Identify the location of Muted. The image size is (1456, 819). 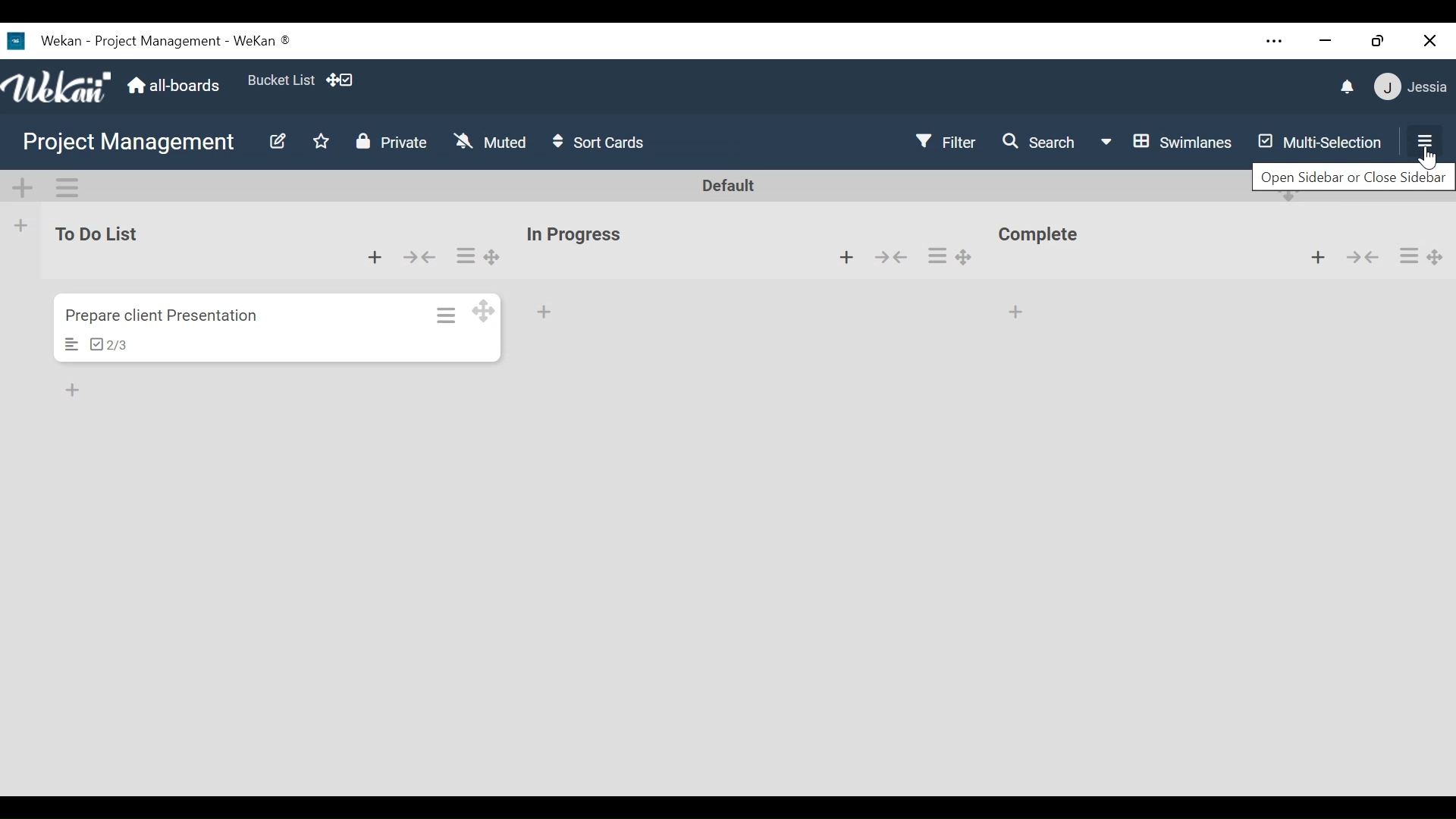
(490, 141).